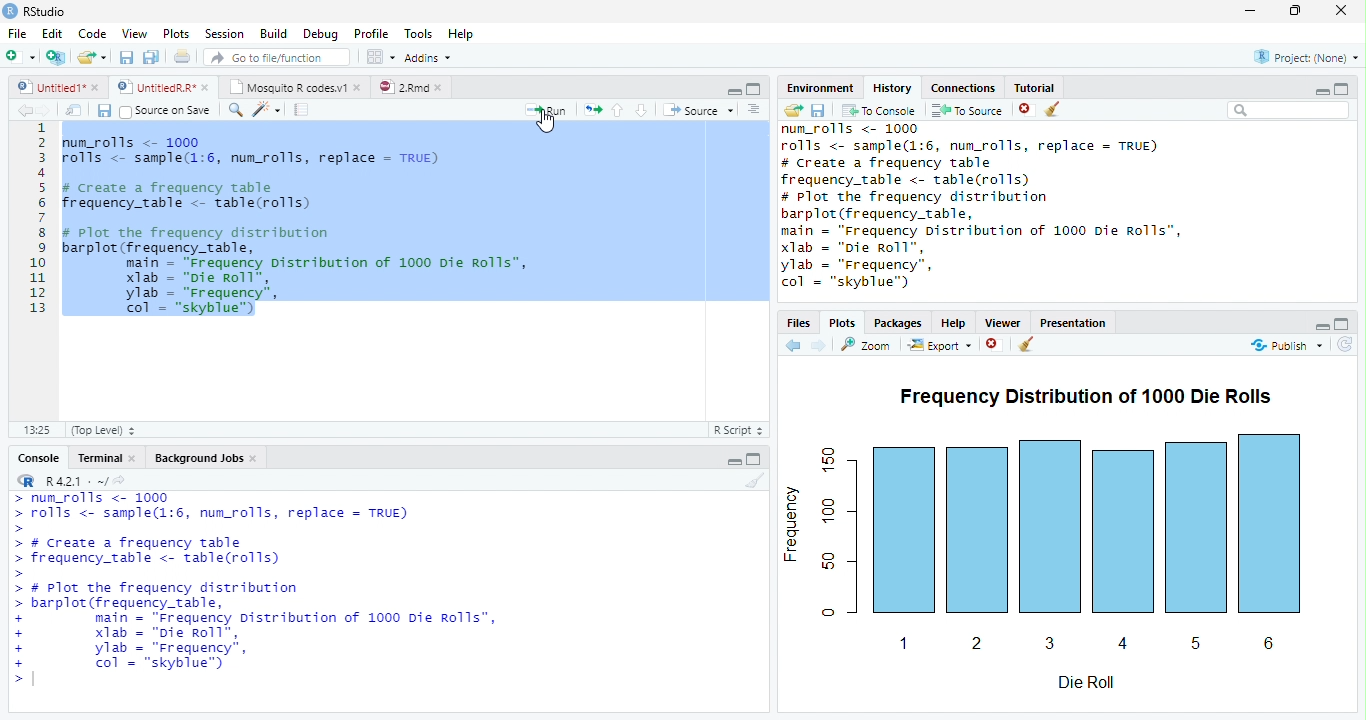 The width and height of the screenshot is (1366, 720). I want to click on Remove Selected, so click(995, 346).